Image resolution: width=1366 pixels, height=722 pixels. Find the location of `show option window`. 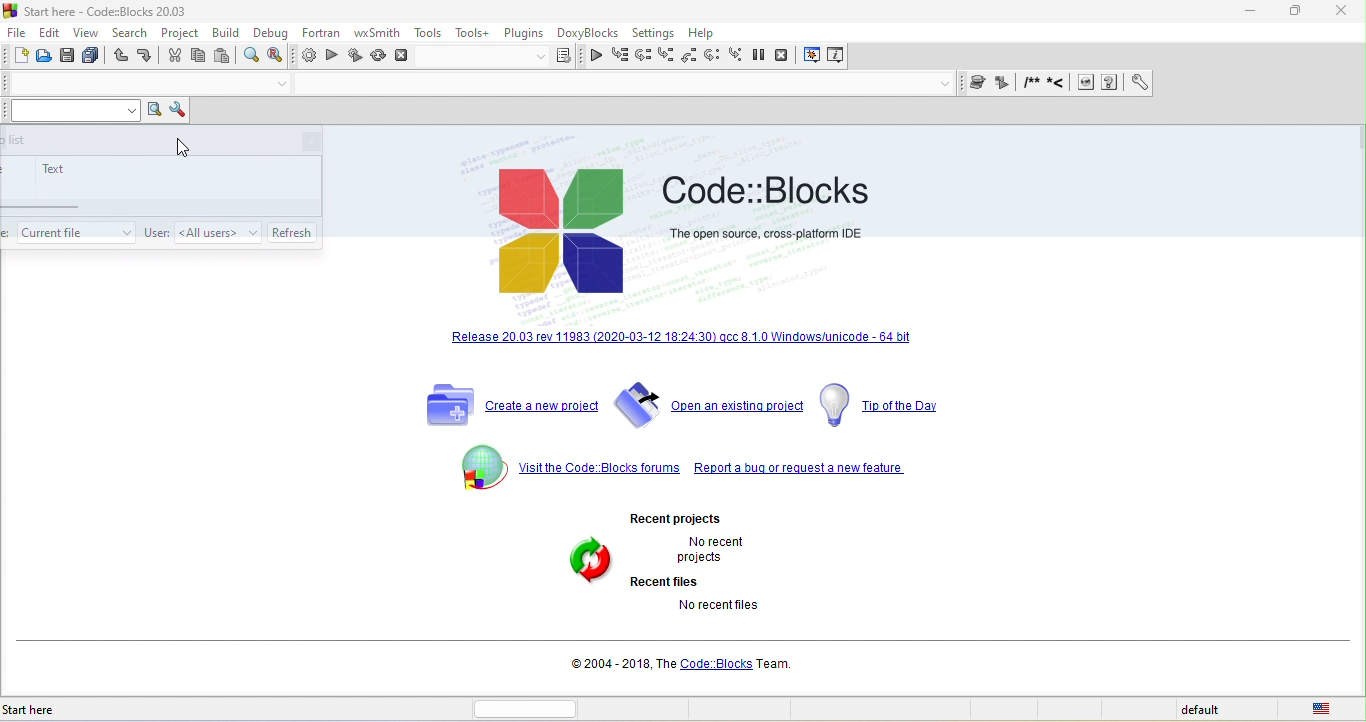

show option window is located at coordinates (176, 111).